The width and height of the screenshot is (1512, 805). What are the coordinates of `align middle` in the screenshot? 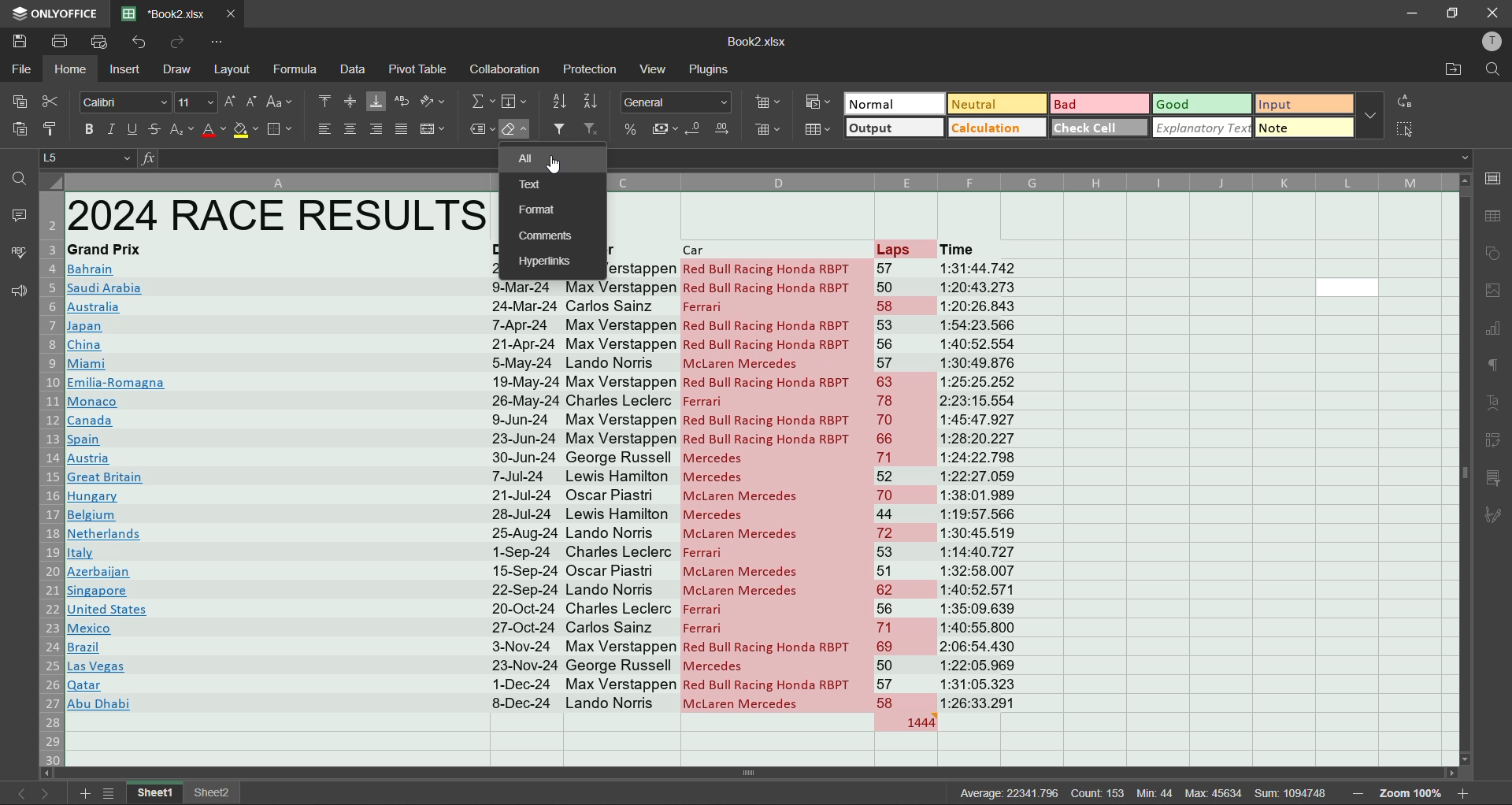 It's located at (349, 102).